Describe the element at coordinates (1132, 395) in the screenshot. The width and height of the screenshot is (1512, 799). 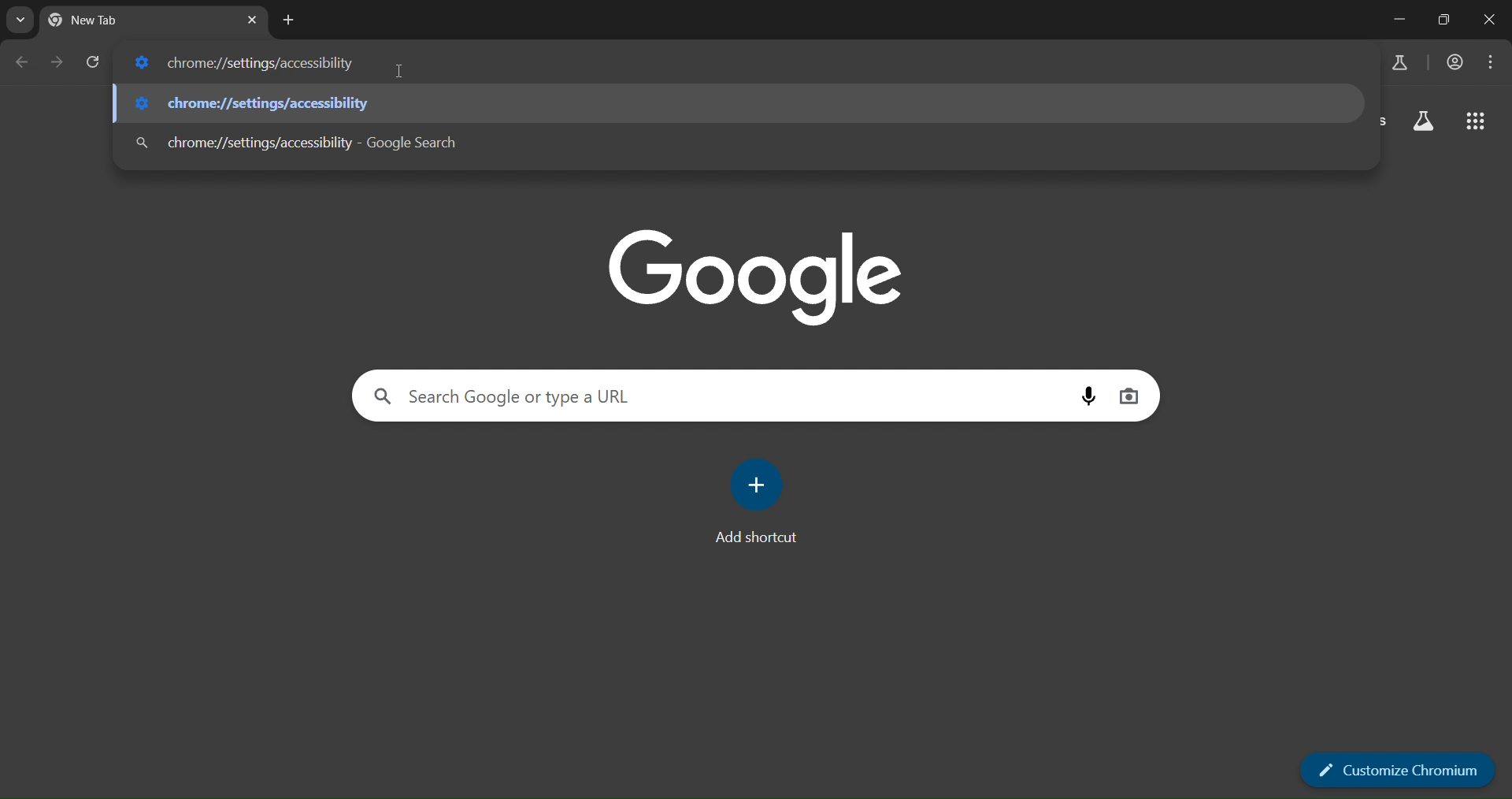
I see `image search` at that location.